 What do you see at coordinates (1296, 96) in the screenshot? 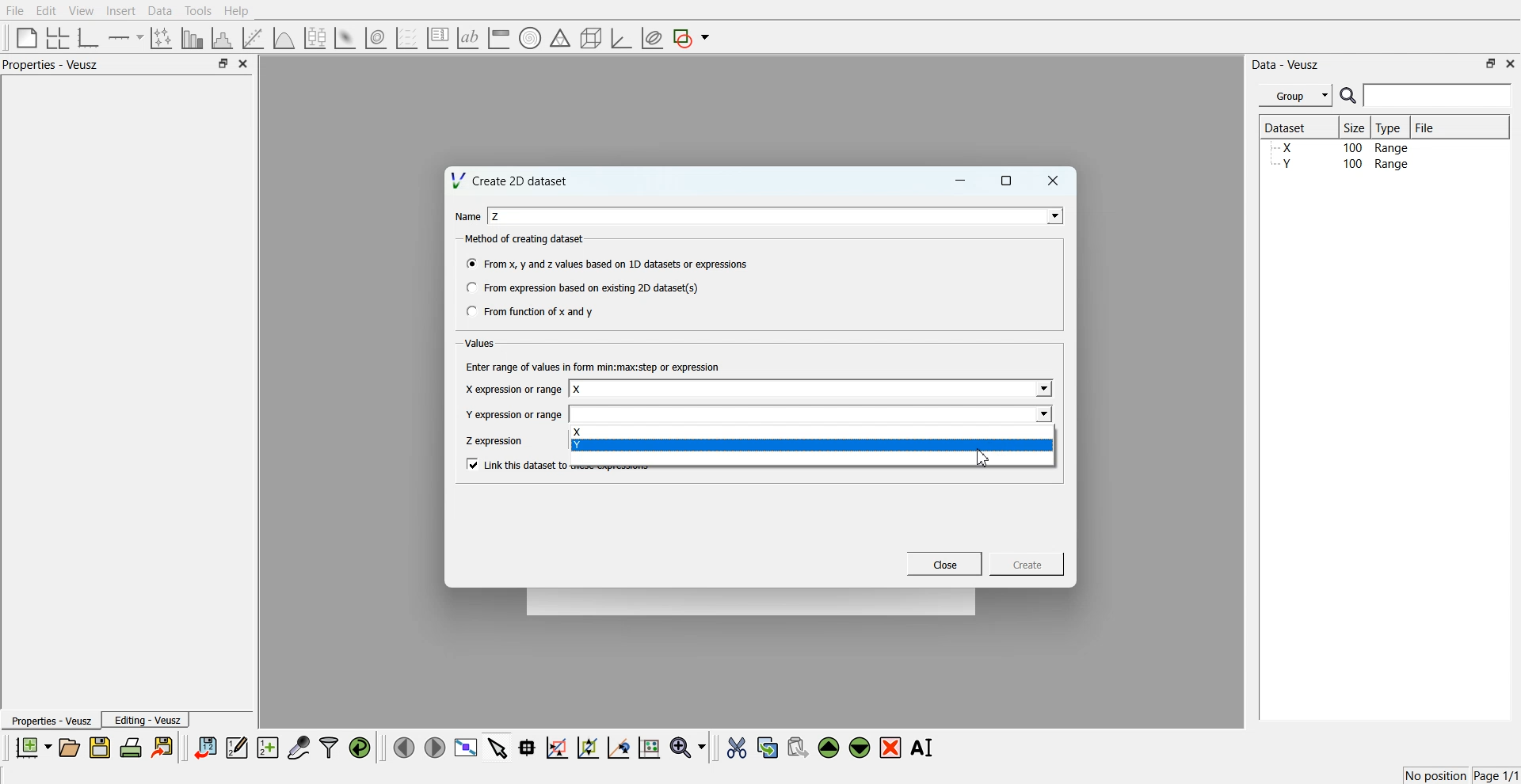
I see `Group` at bounding box center [1296, 96].